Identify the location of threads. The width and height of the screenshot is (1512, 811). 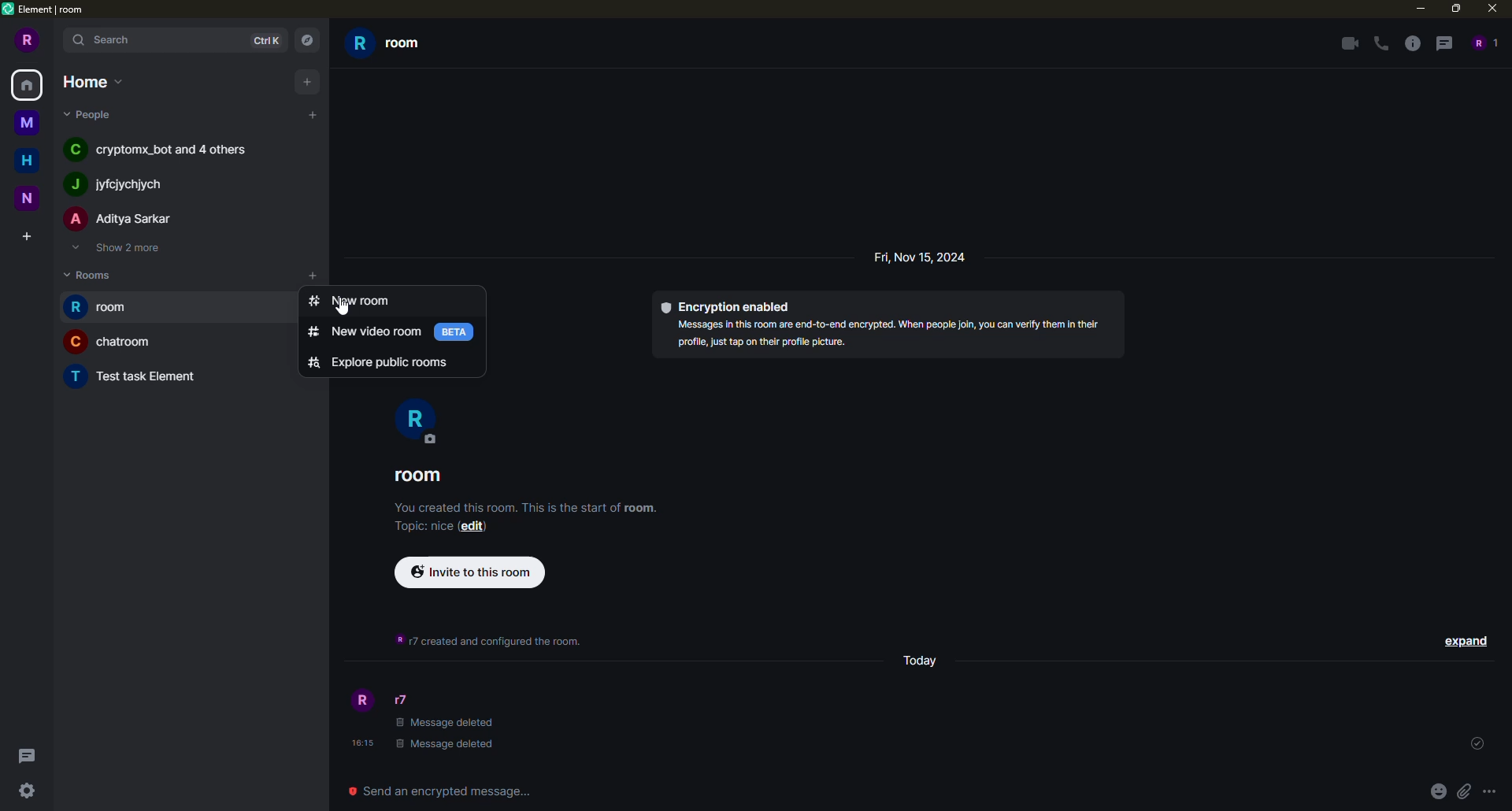
(27, 755).